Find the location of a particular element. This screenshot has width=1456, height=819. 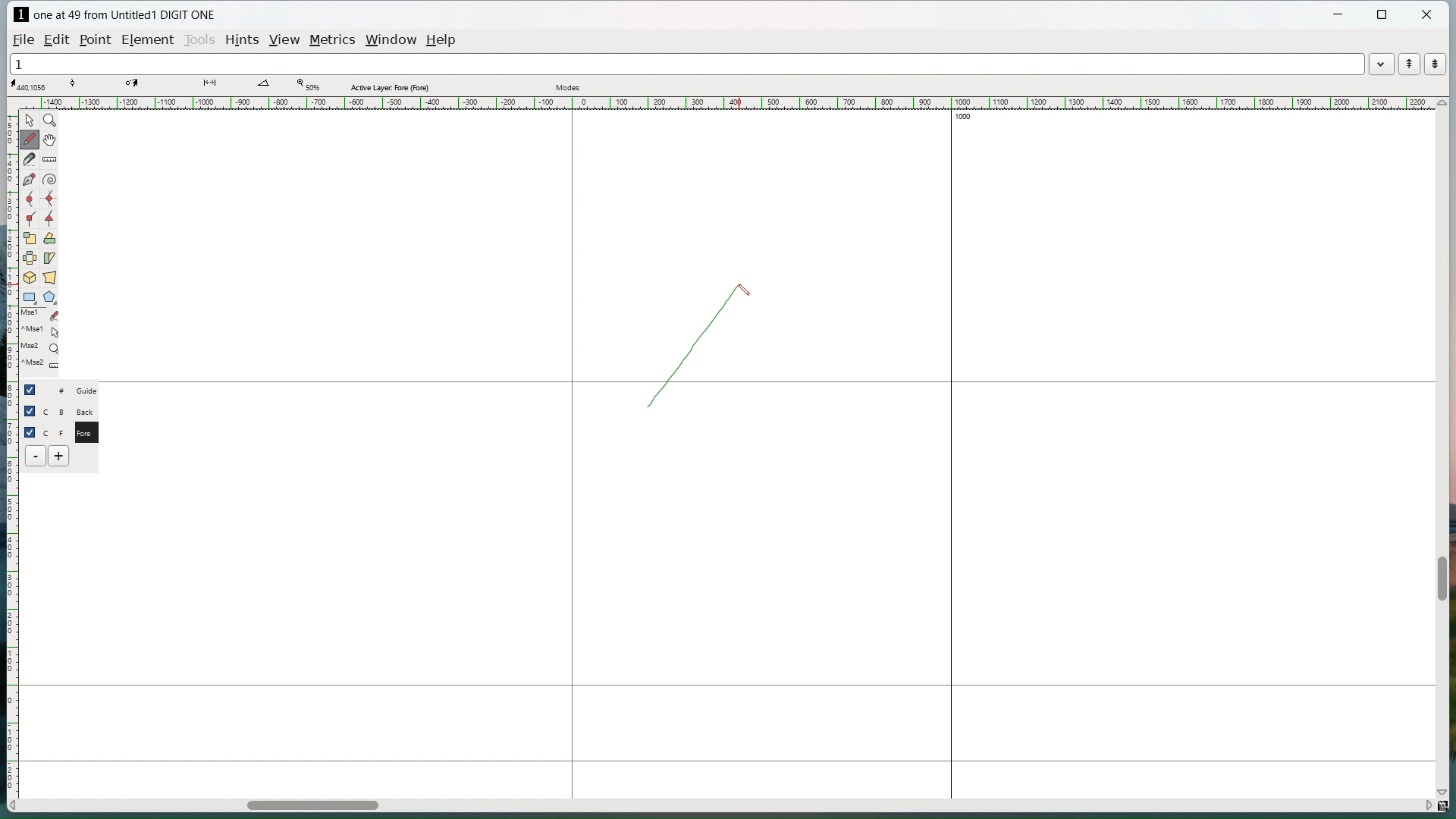

add a point then drag out its control points is located at coordinates (30, 179).